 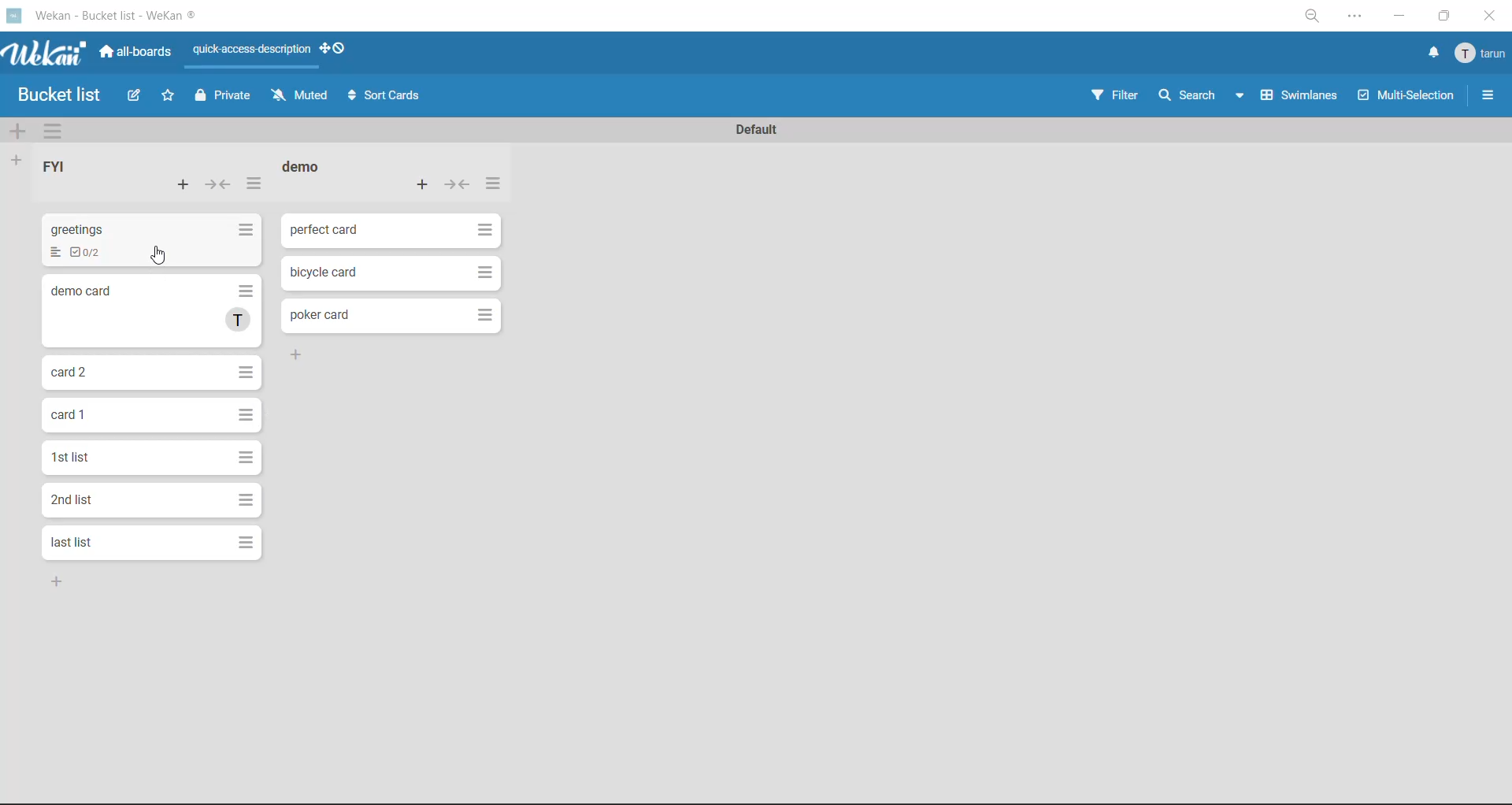 I want to click on card 6, so click(x=149, y=499).